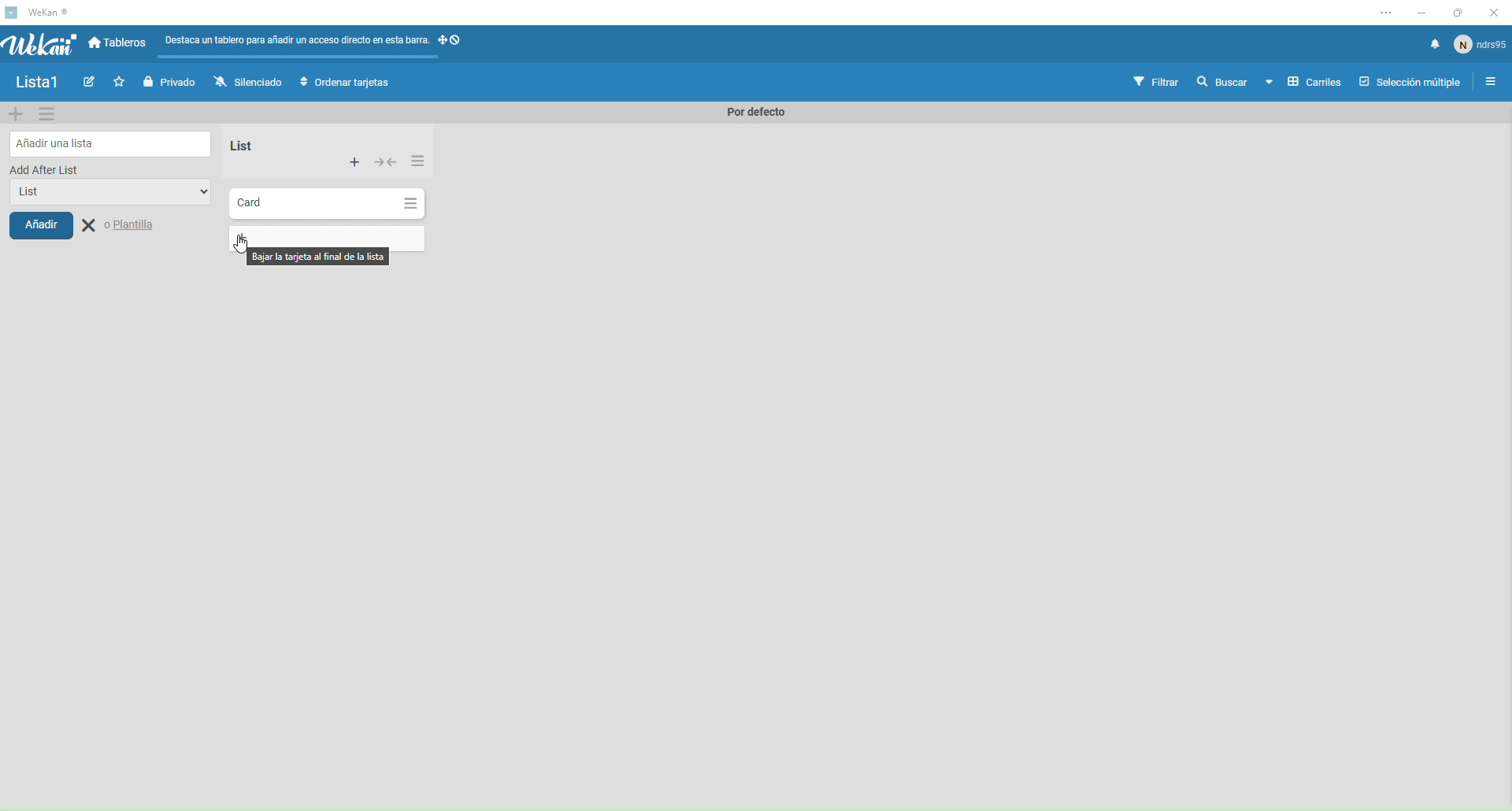  What do you see at coordinates (92, 83) in the screenshot?
I see `Tag` at bounding box center [92, 83].